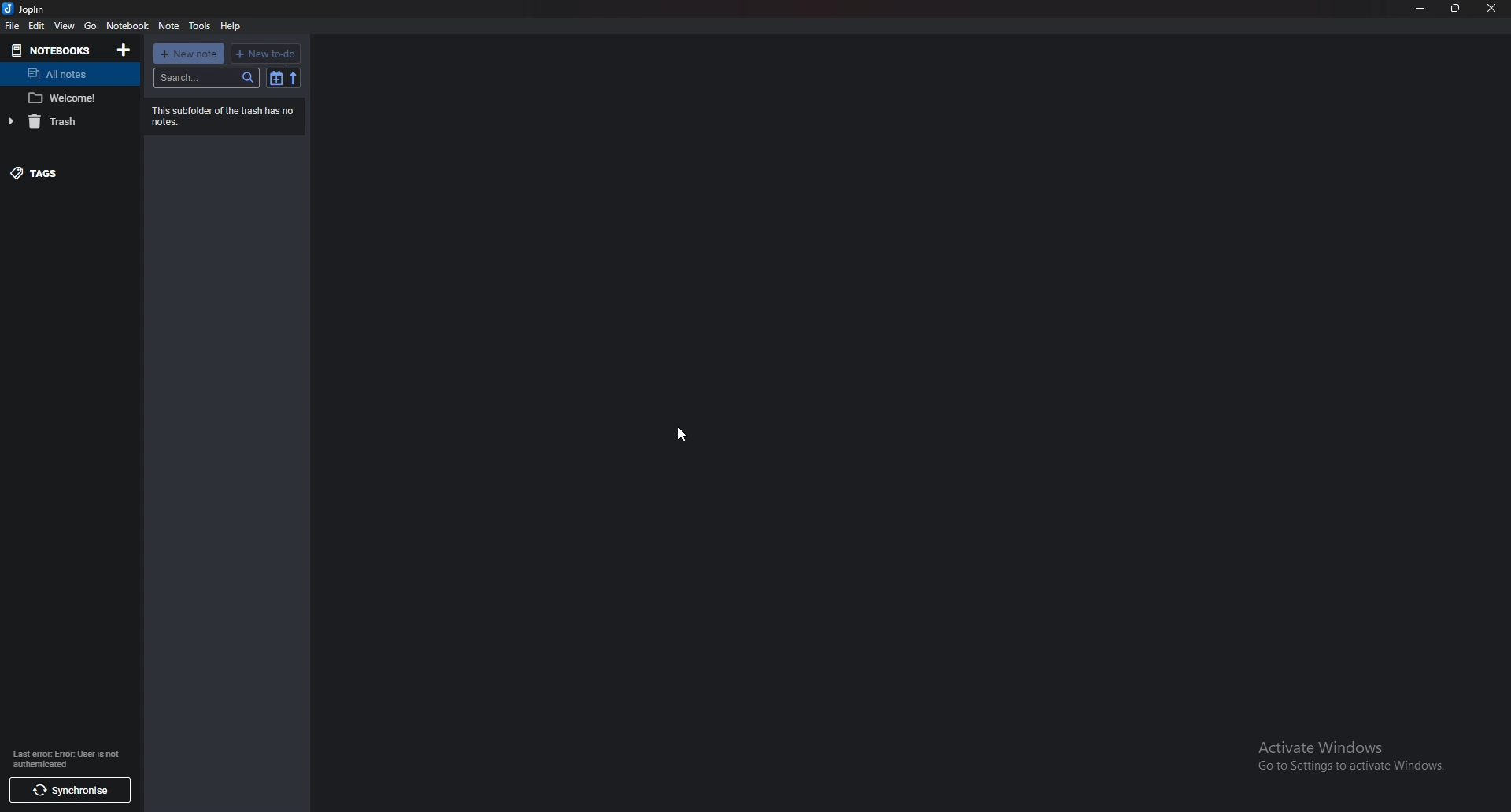 Image resolution: width=1511 pixels, height=812 pixels. Describe the element at coordinates (124, 50) in the screenshot. I see `Add notebooks` at that location.